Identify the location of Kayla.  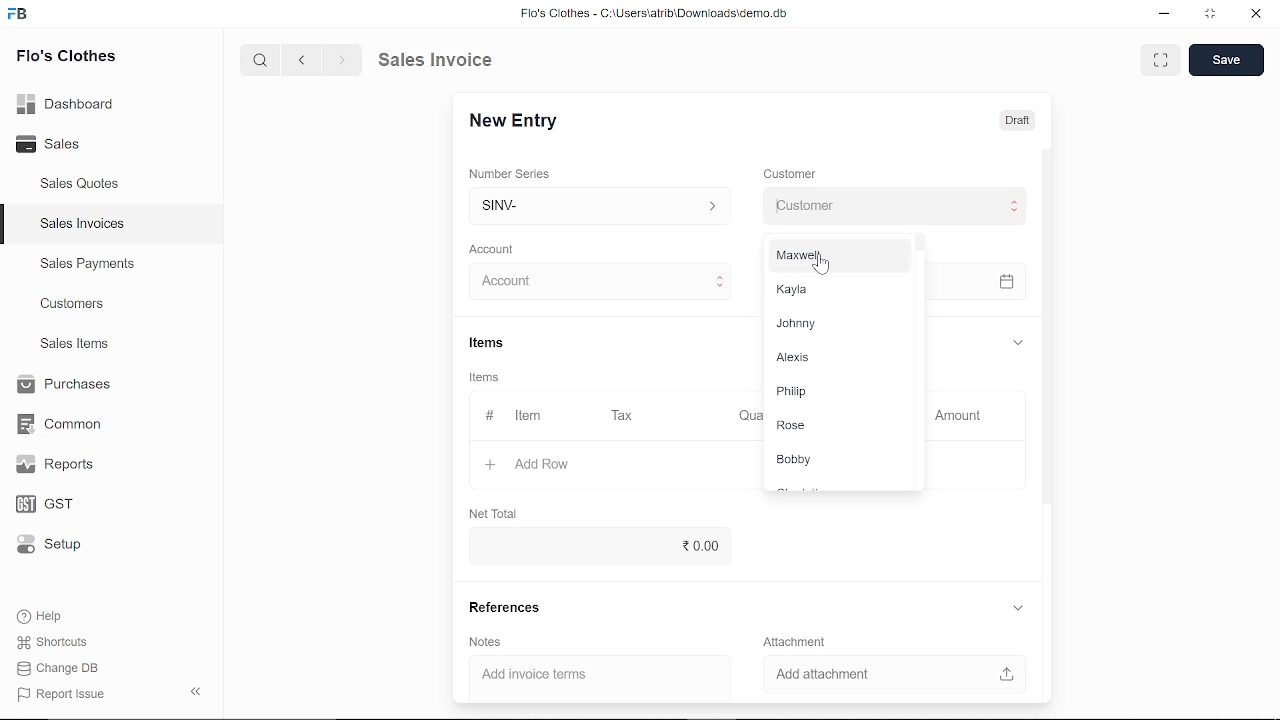
(839, 292).